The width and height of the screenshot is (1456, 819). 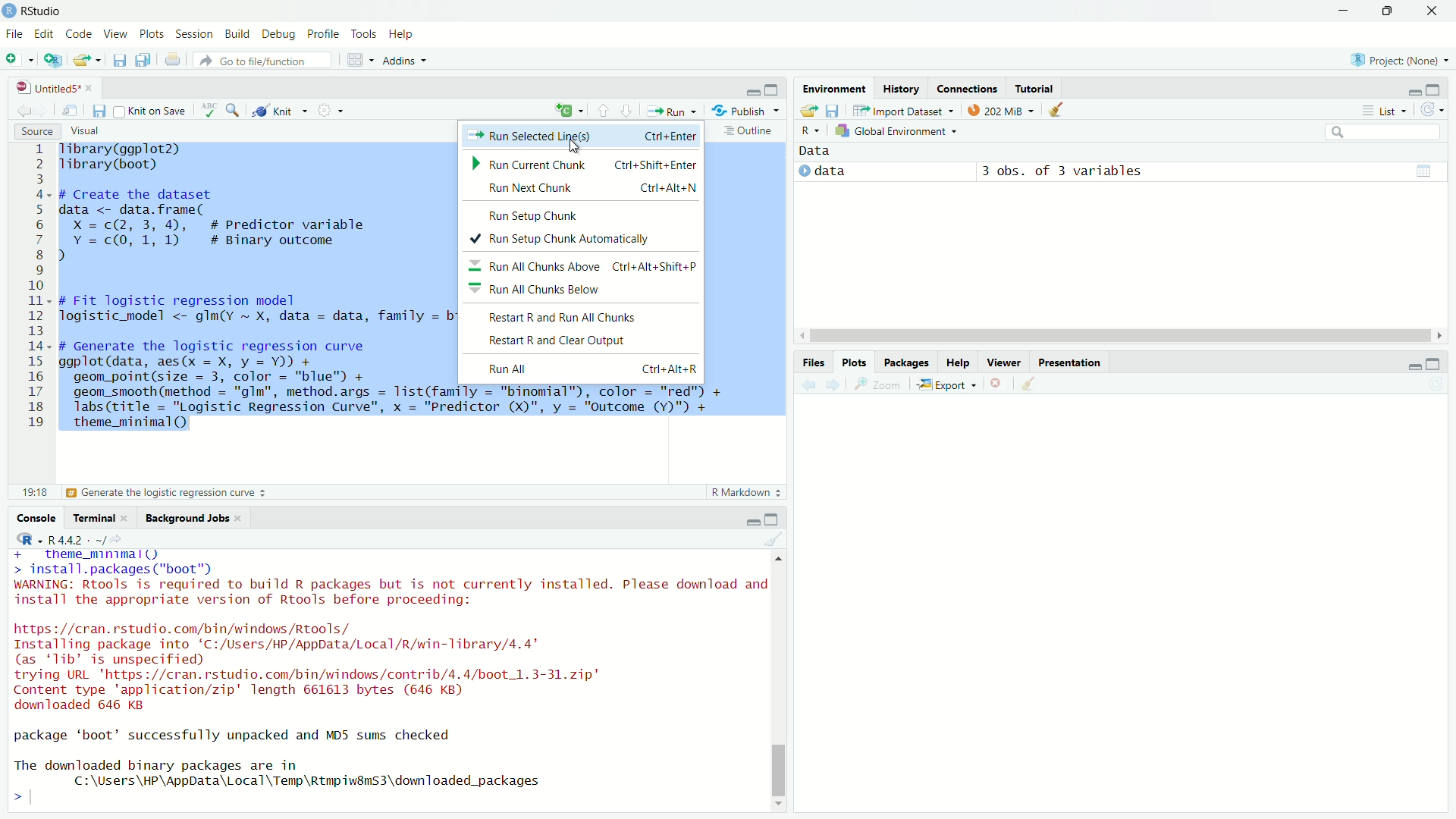 I want to click on Go to next section/chunk, so click(x=627, y=111).